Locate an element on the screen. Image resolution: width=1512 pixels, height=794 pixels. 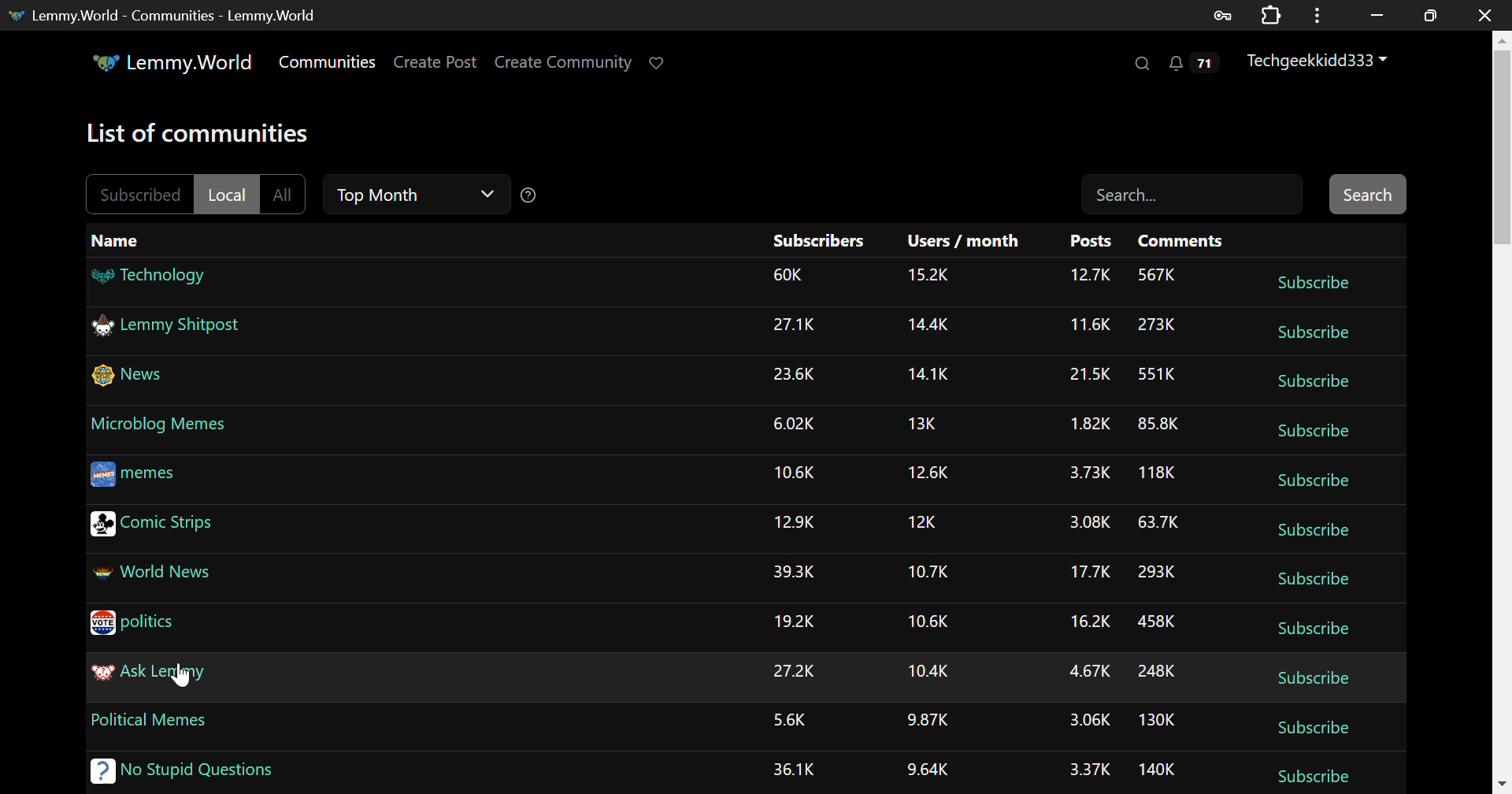
Subscribe is located at coordinates (1314, 580).